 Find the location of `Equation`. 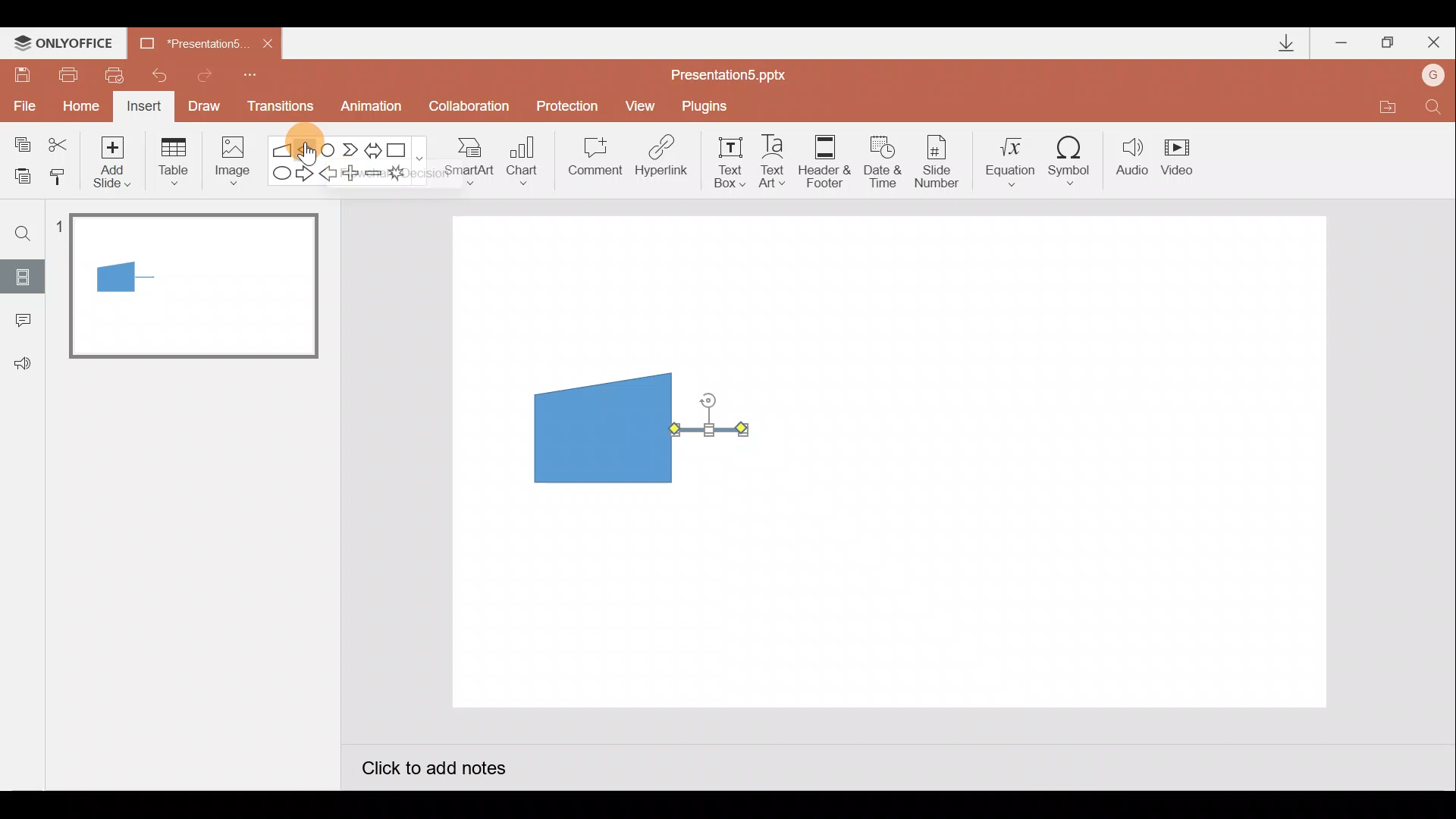

Equation is located at coordinates (1013, 159).